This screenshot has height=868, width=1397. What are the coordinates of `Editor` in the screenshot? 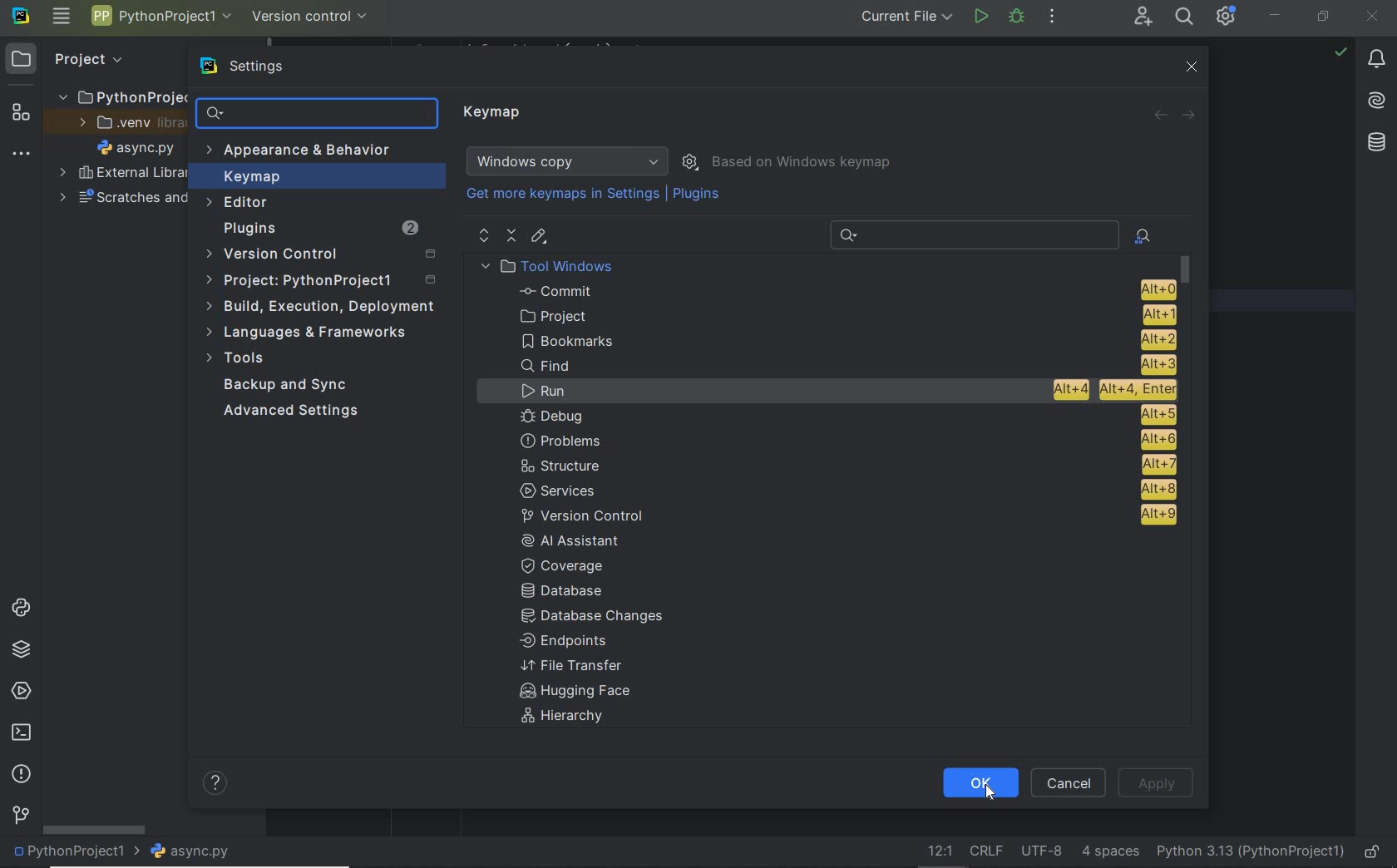 It's located at (239, 203).